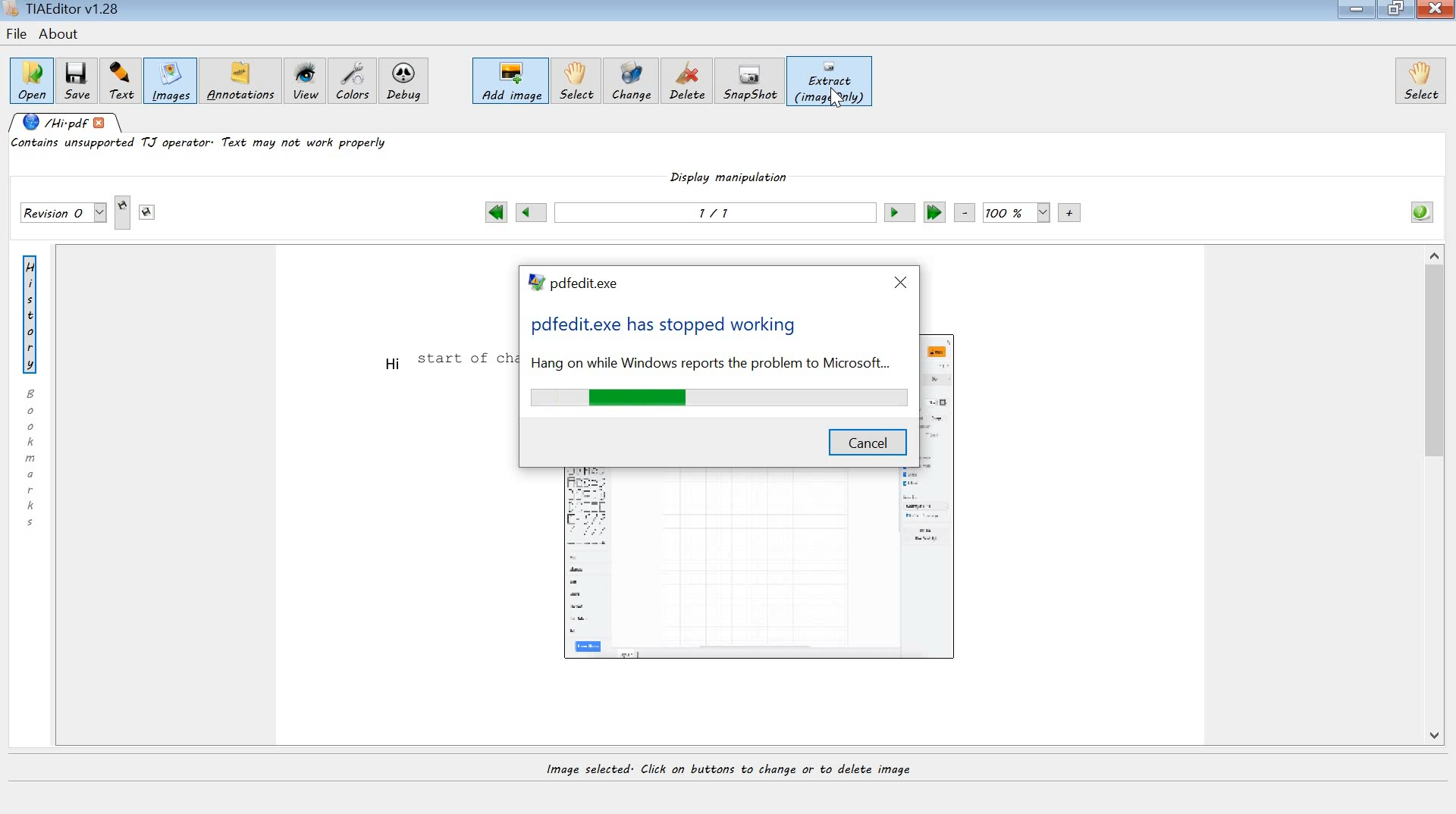 This screenshot has height=814, width=1456. Describe the element at coordinates (202, 146) in the screenshot. I see `content unsupported TJ operator` at that location.